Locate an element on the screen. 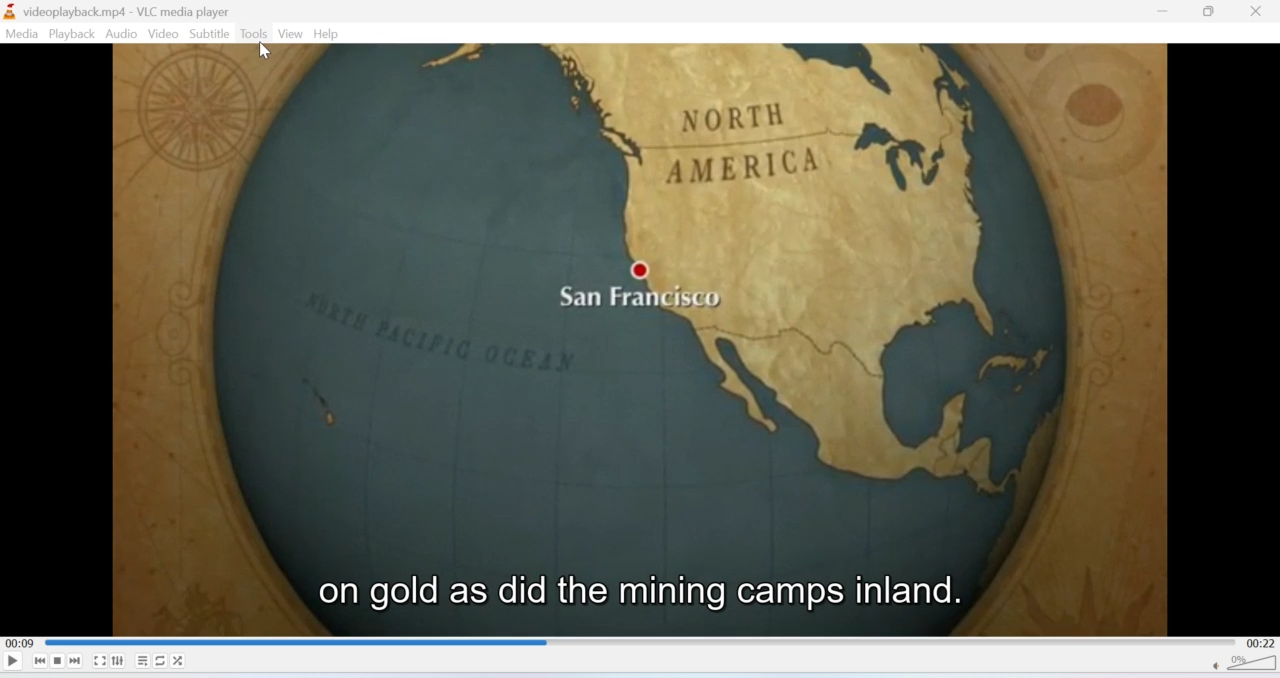  videoplayback.mp4-VLC media player is located at coordinates (117, 13).